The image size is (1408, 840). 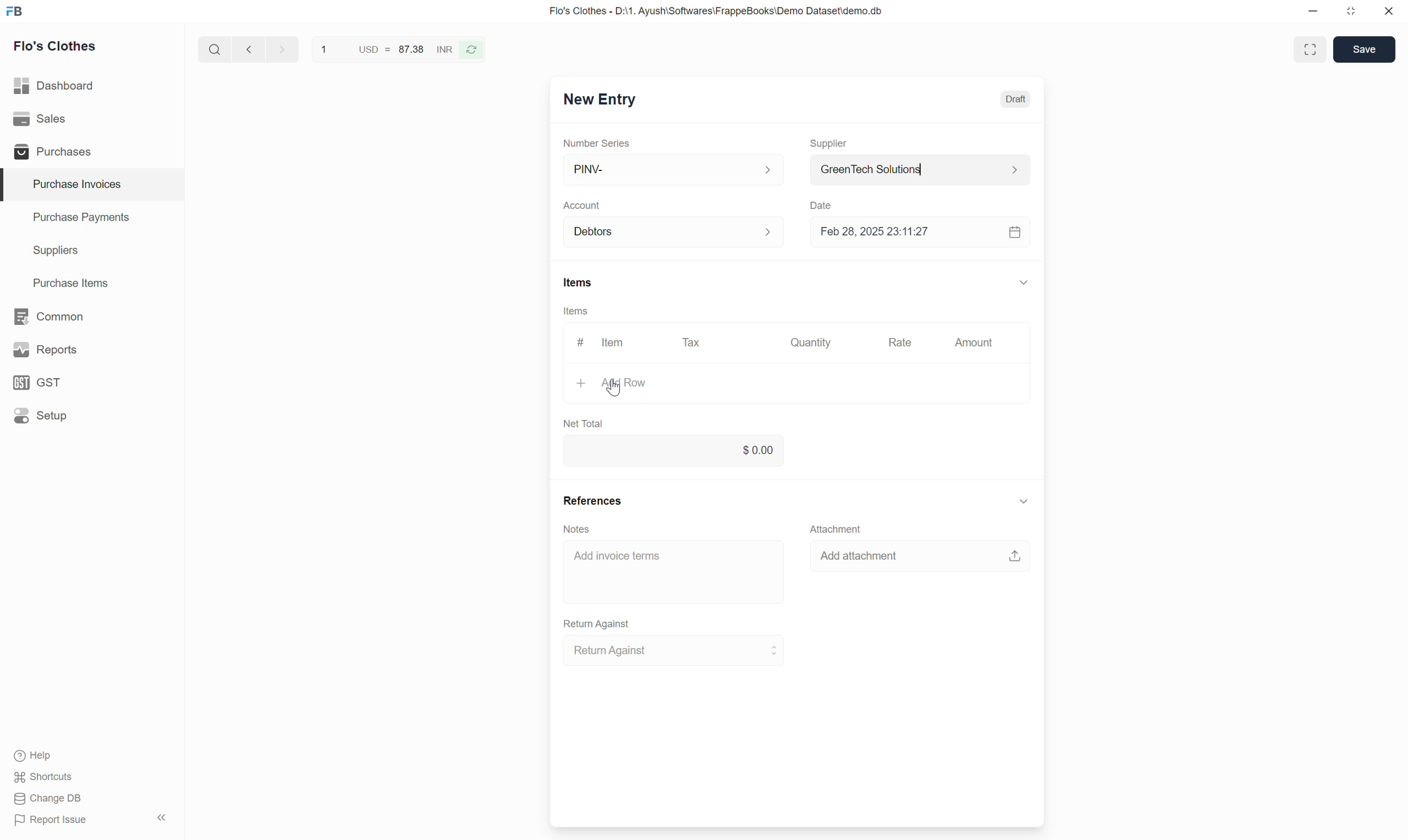 What do you see at coordinates (162, 817) in the screenshot?
I see `Collapse` at bounding box center [162, 817].